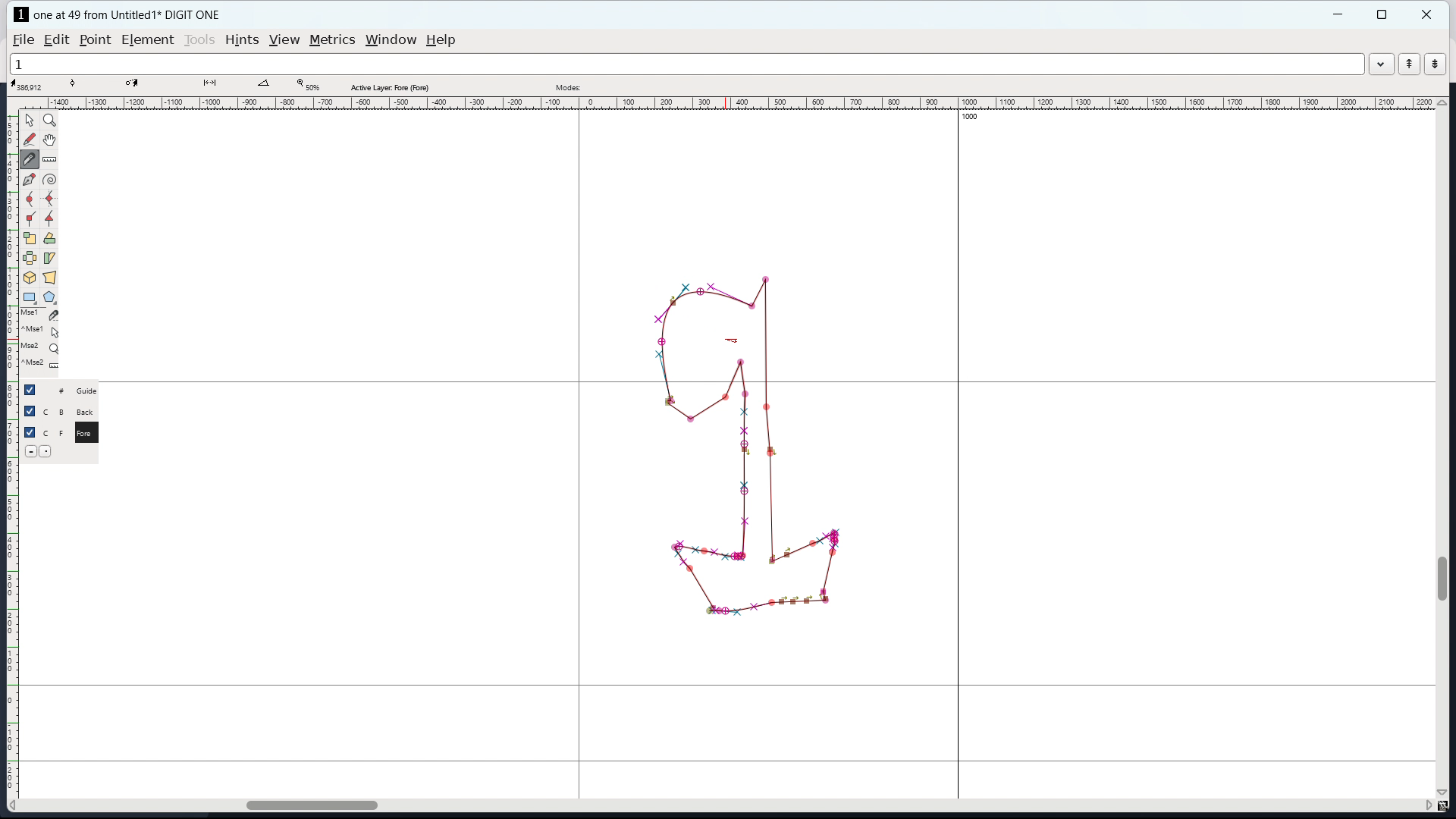 Image resolution: width=1456 pixels, height=819 pixels. Describe the element at coordinates (50, 258) in the screenshot. I see `skew the selection` at that location.